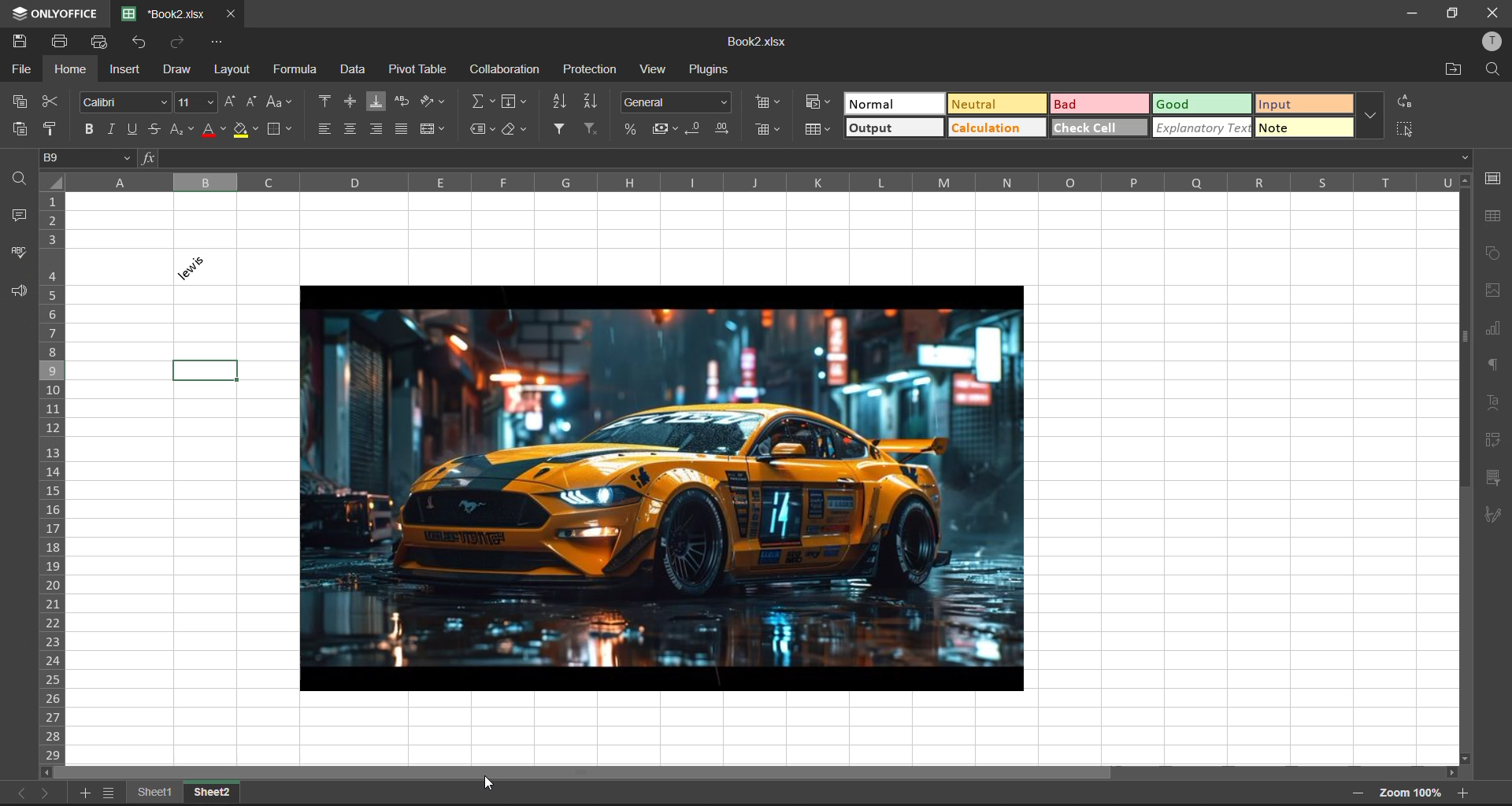 This screenshot has height=806, width=1512. Describe the element at coordinates (513, 102) in the screenshot. I see `fields` at that location.